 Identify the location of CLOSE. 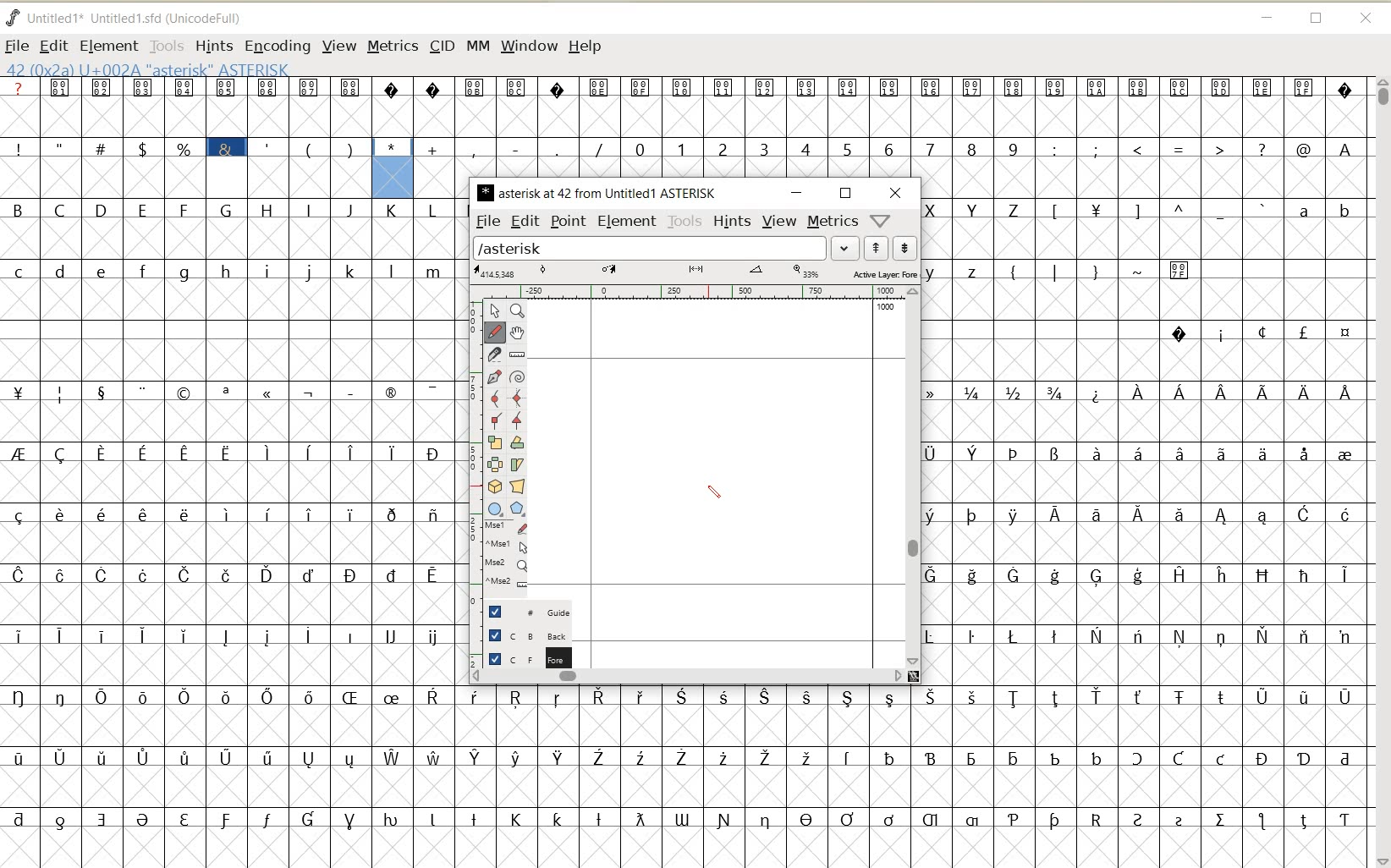
(896, 192).